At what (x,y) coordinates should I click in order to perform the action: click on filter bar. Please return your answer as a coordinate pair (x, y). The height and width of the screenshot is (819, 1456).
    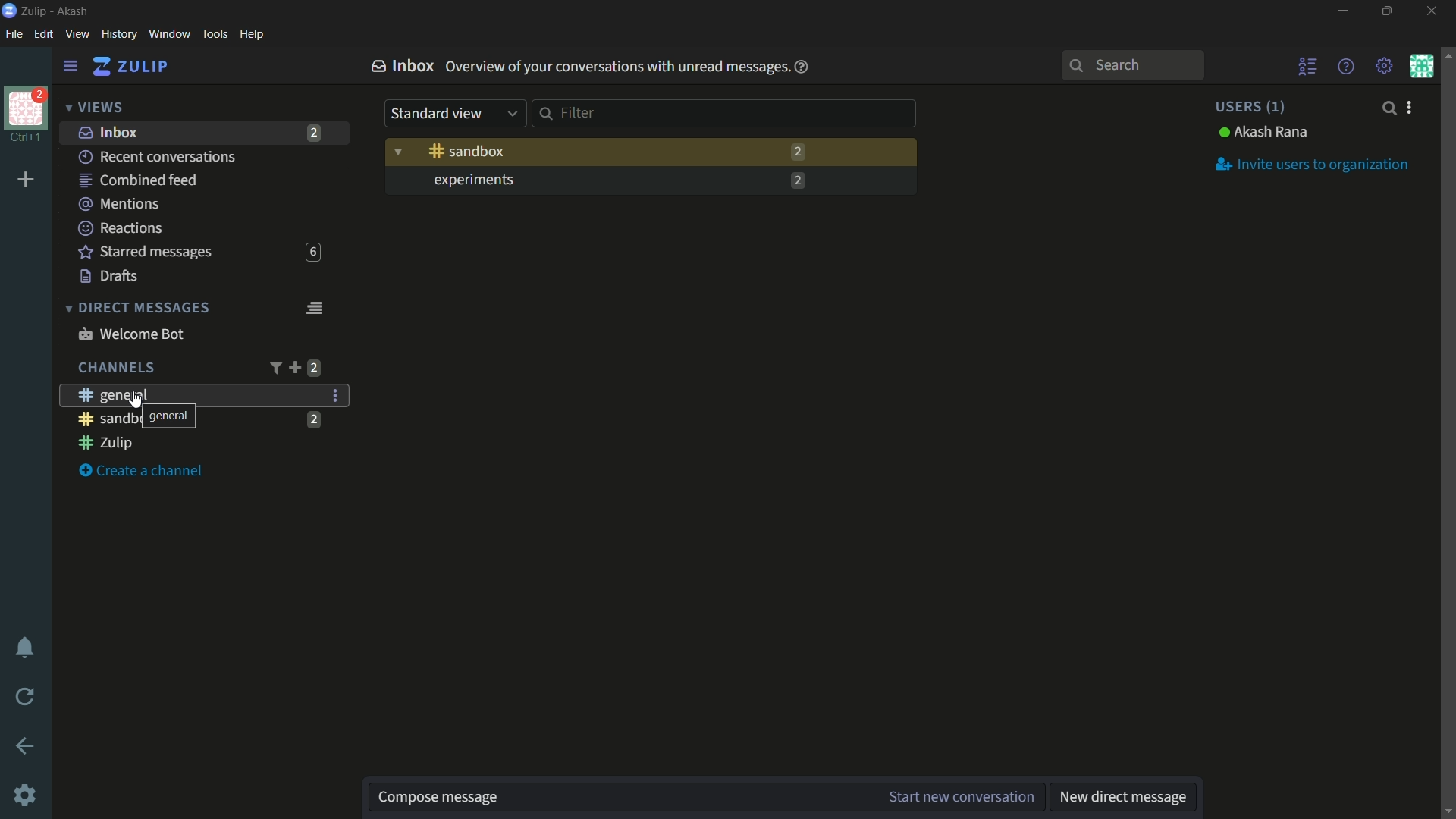
    Looking at the image, I should click on (725, 113).